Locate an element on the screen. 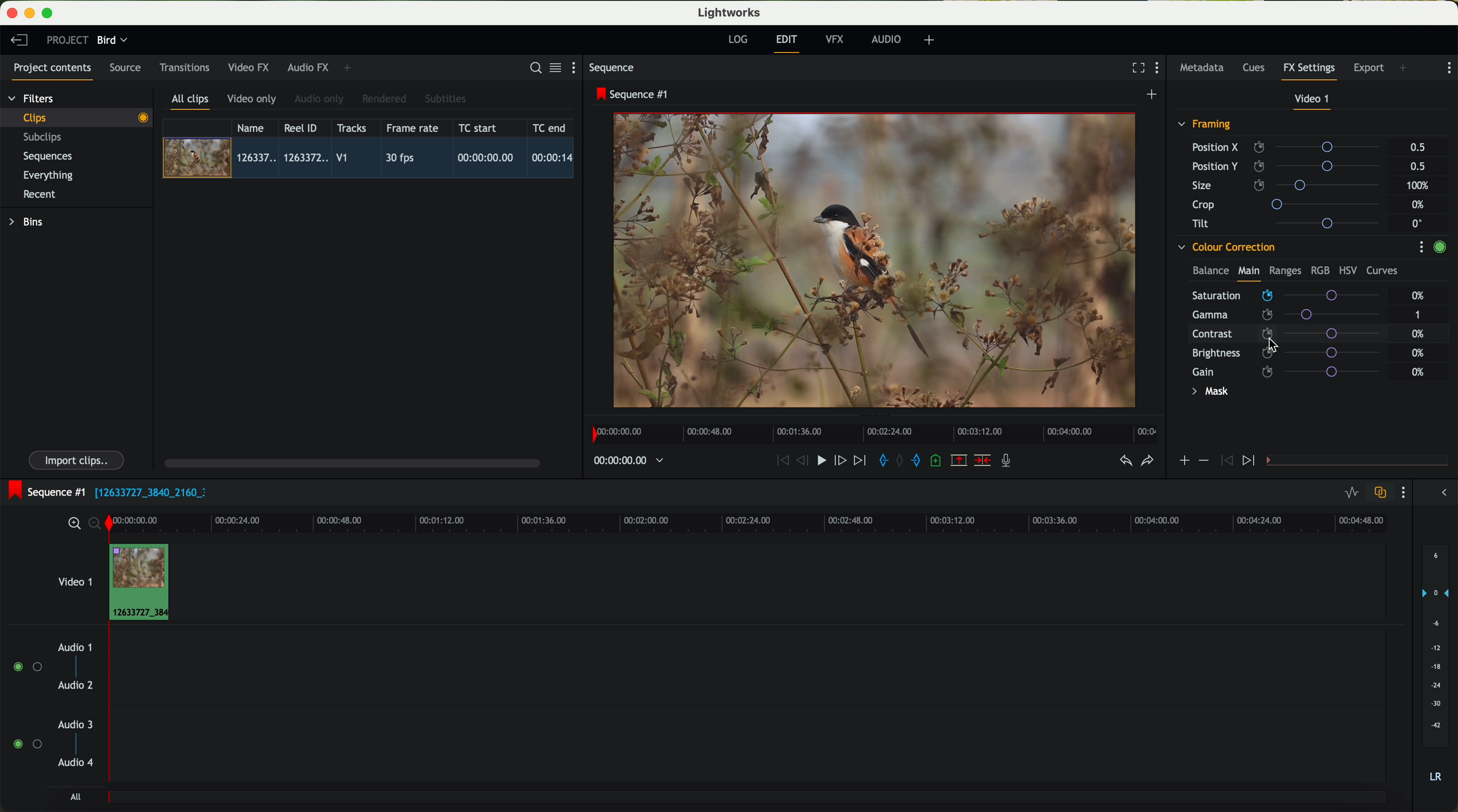 This screenshot has width=1458, height=812. balance is located at coordinates (1211, 272).